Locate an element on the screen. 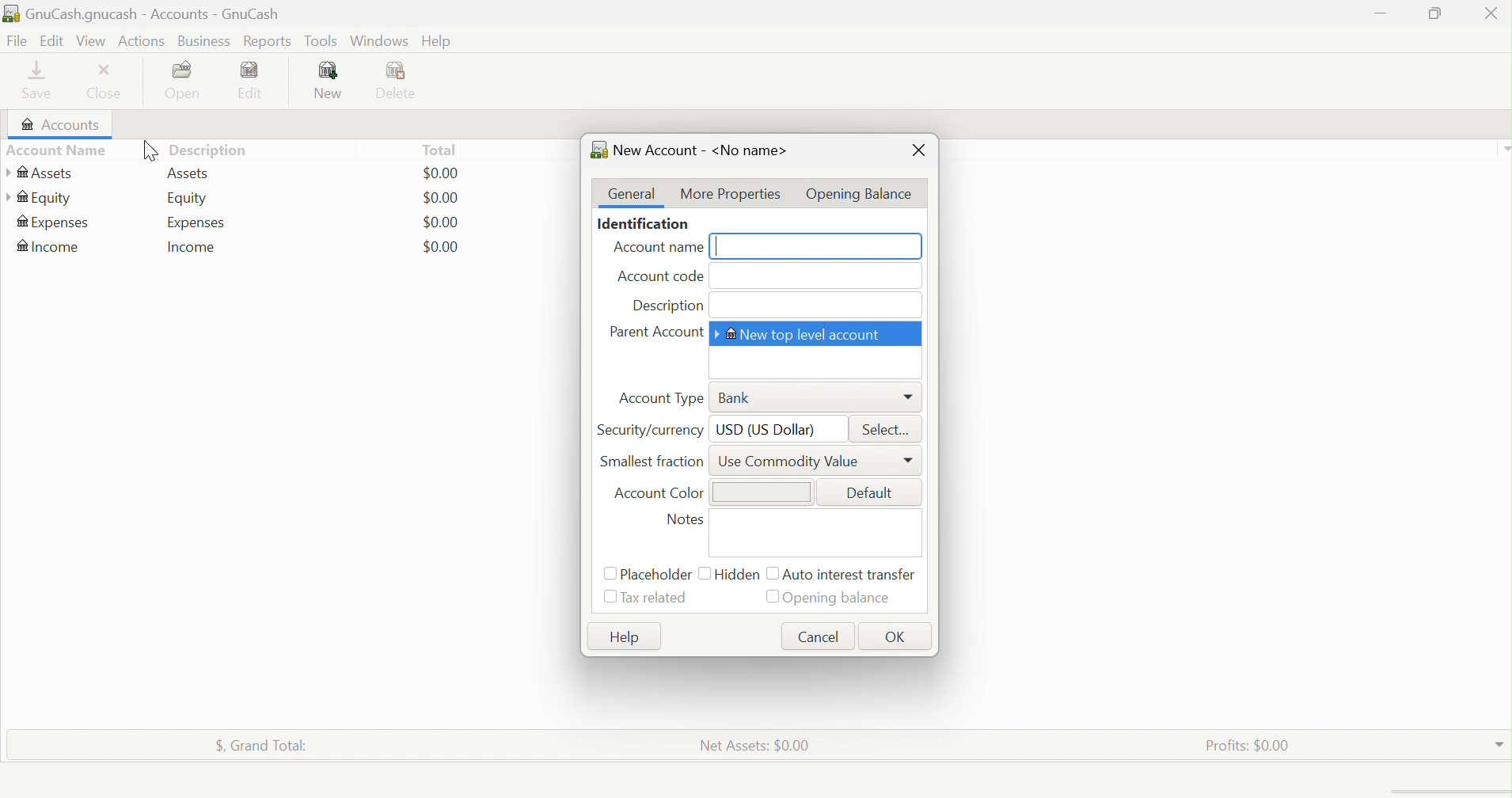  USD (US Dollar) is located at coordinates (767, 429).